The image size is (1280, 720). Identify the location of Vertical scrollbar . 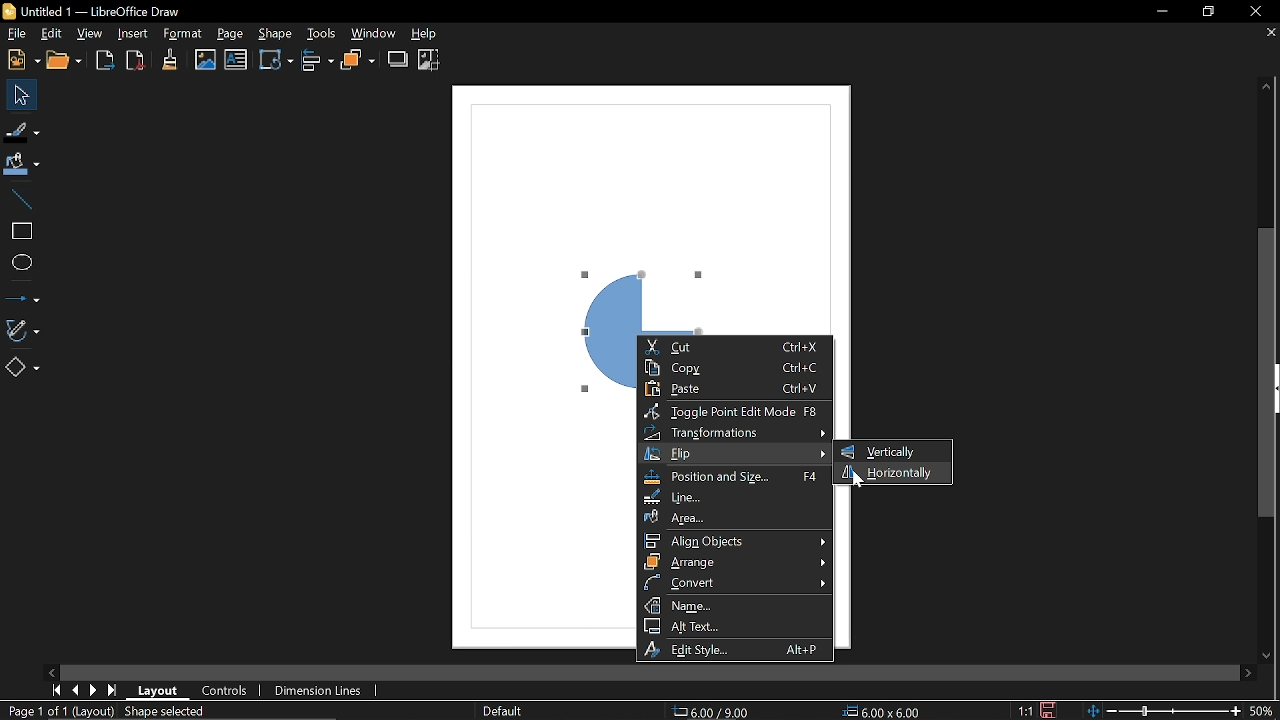
(1268, 373).